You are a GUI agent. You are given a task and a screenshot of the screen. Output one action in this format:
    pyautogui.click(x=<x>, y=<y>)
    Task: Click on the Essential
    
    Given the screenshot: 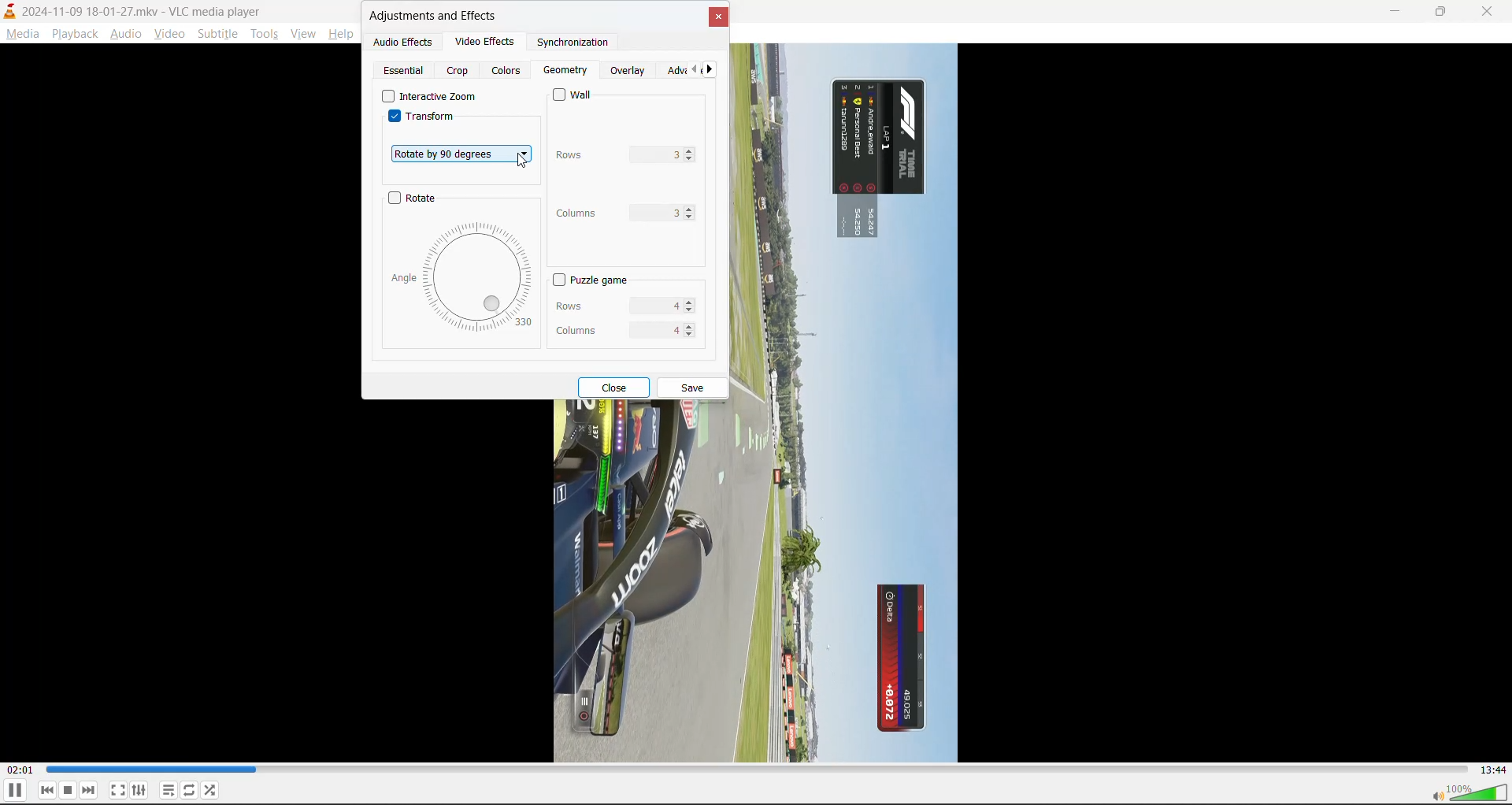 What is the action you would take?
    pyautogui.click(x=405, y=70)
    